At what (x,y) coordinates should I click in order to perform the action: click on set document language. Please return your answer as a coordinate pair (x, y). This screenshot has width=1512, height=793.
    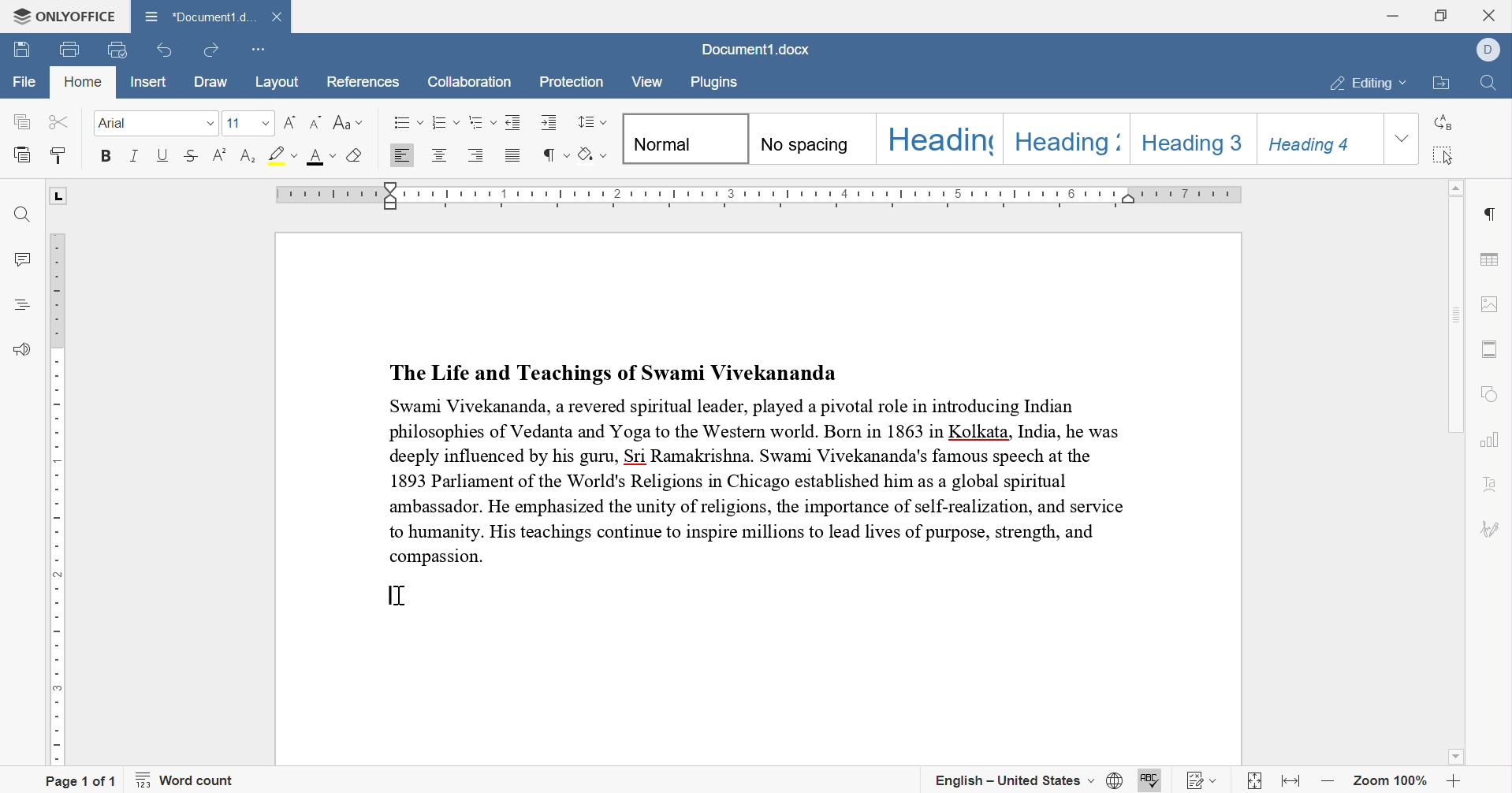
    Looking at the image, I should click on (1115, 780).